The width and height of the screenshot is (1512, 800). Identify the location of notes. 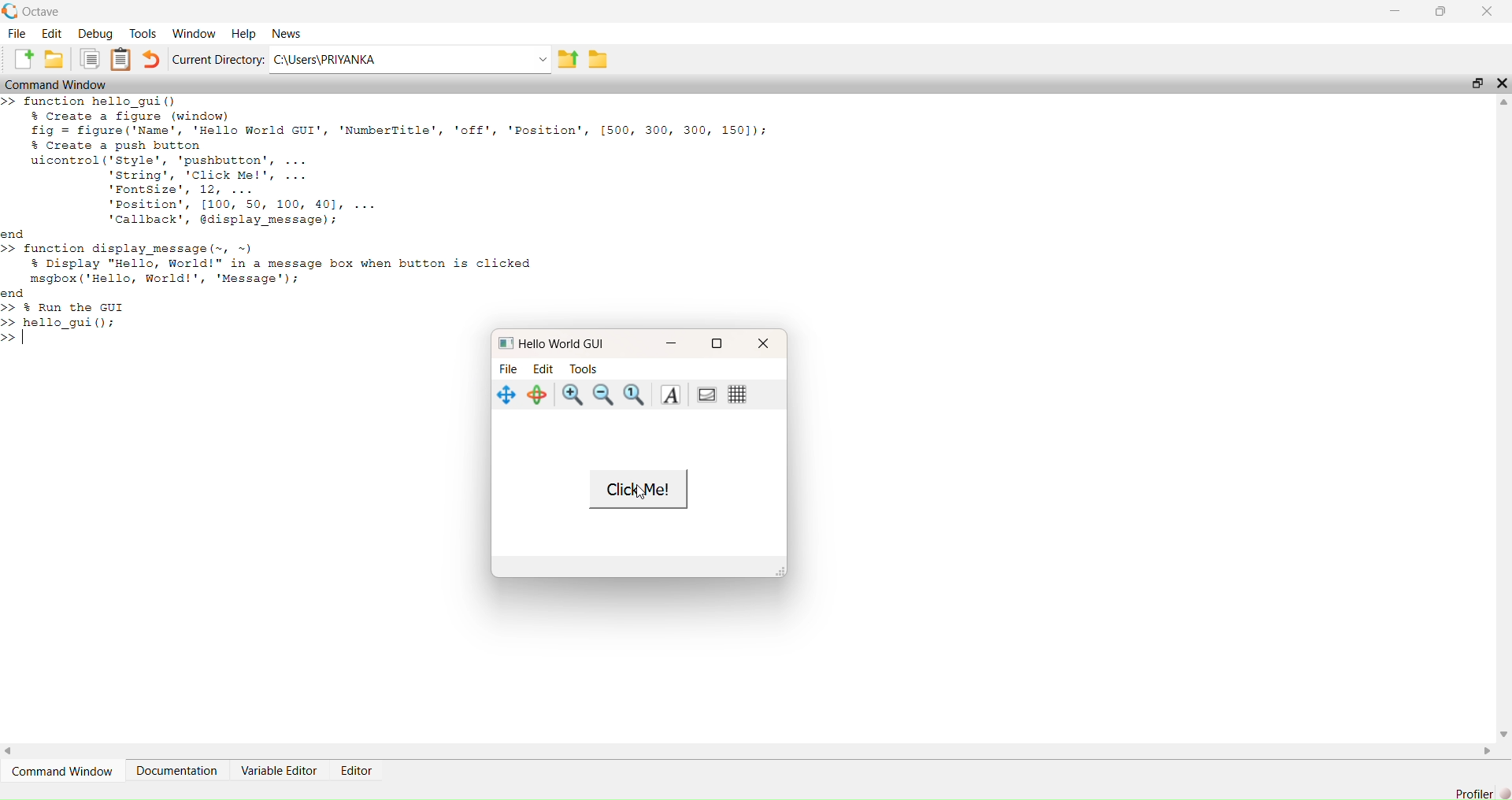
(124, 60).